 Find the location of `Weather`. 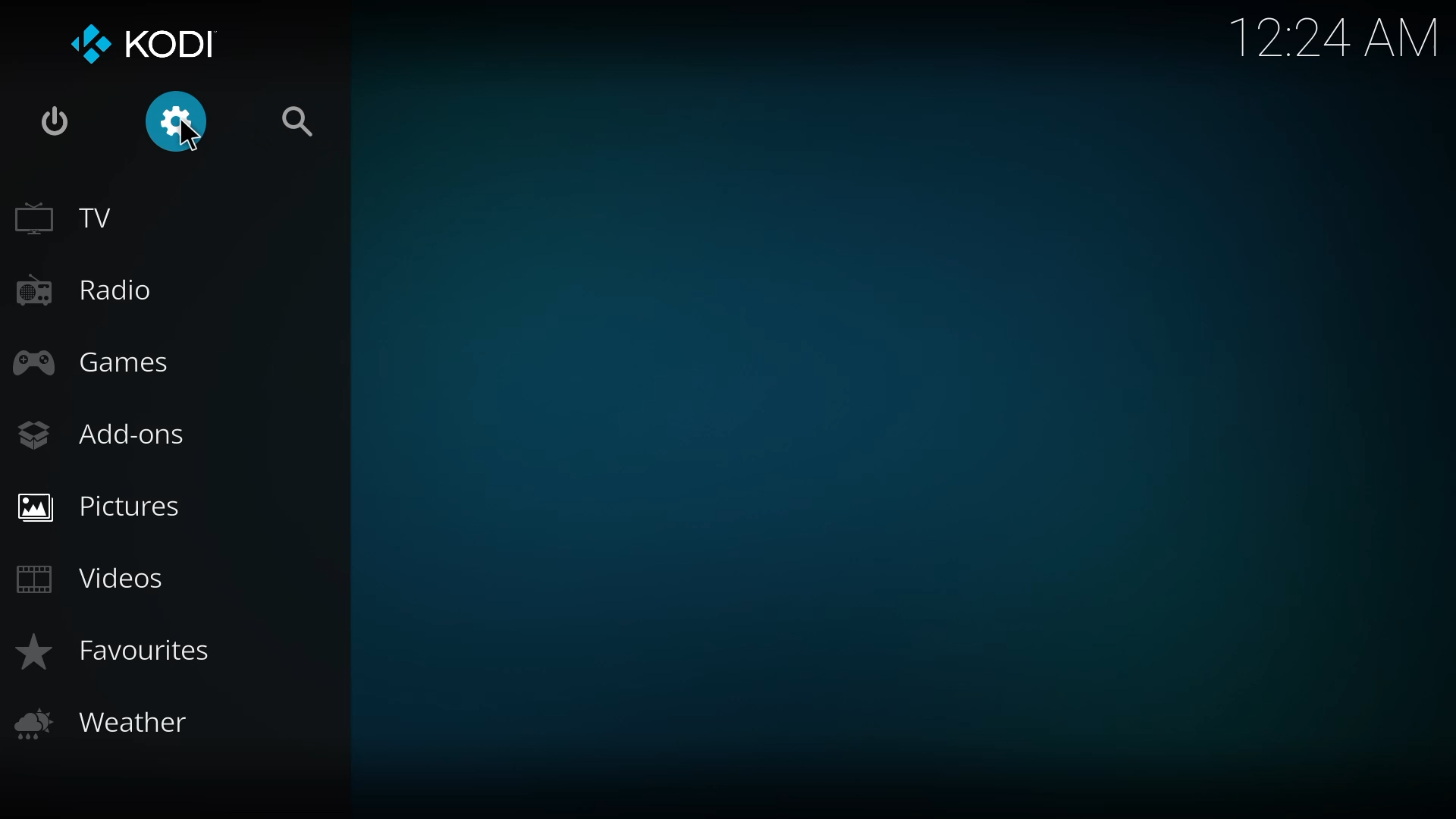

Weather is located at coordinates (103, 725).